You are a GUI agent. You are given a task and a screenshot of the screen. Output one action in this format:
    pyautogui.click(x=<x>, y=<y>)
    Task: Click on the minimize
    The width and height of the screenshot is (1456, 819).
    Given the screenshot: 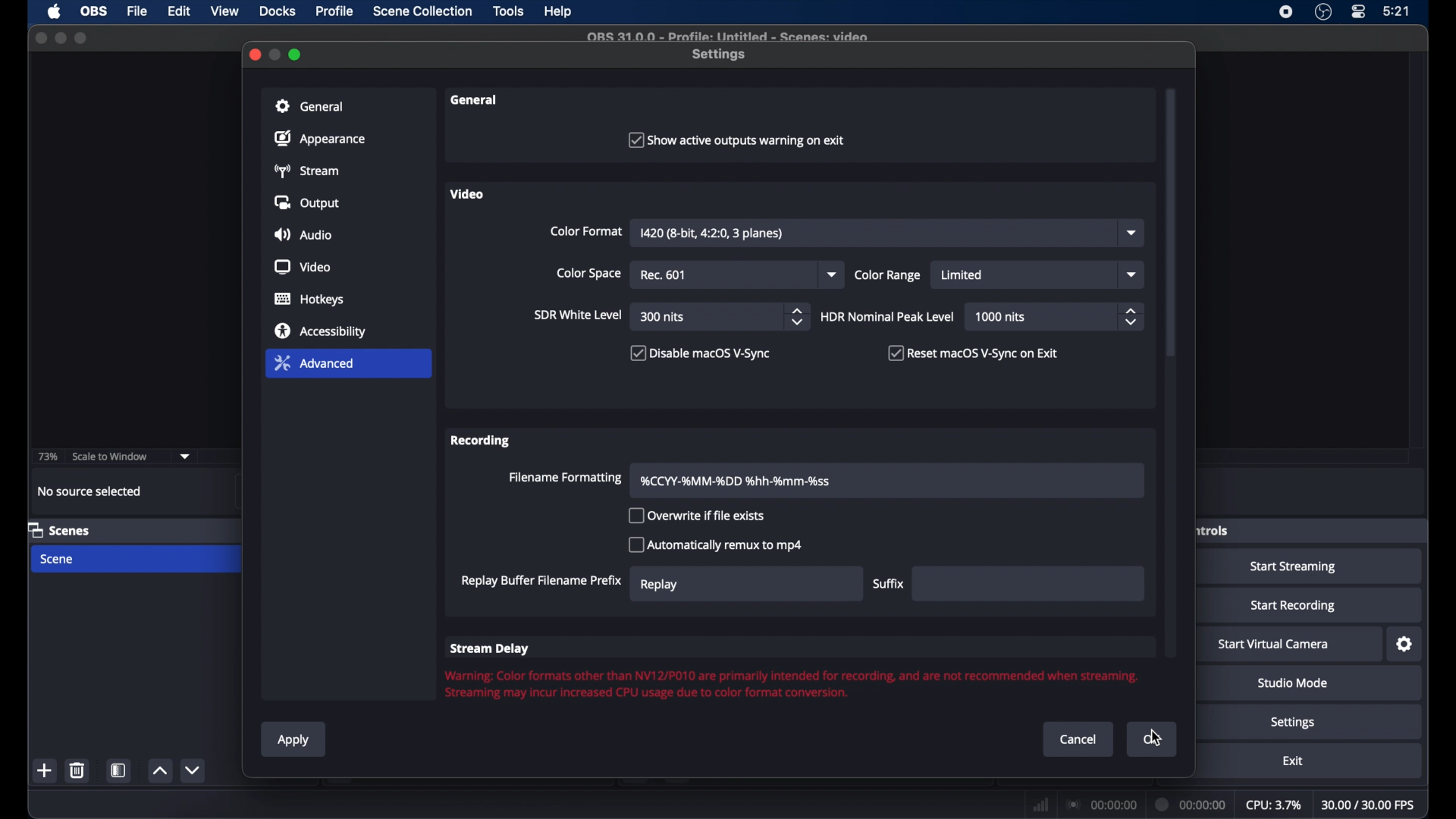 What is the action you would take?
    pyautogui.click(x=276, y=55)
    